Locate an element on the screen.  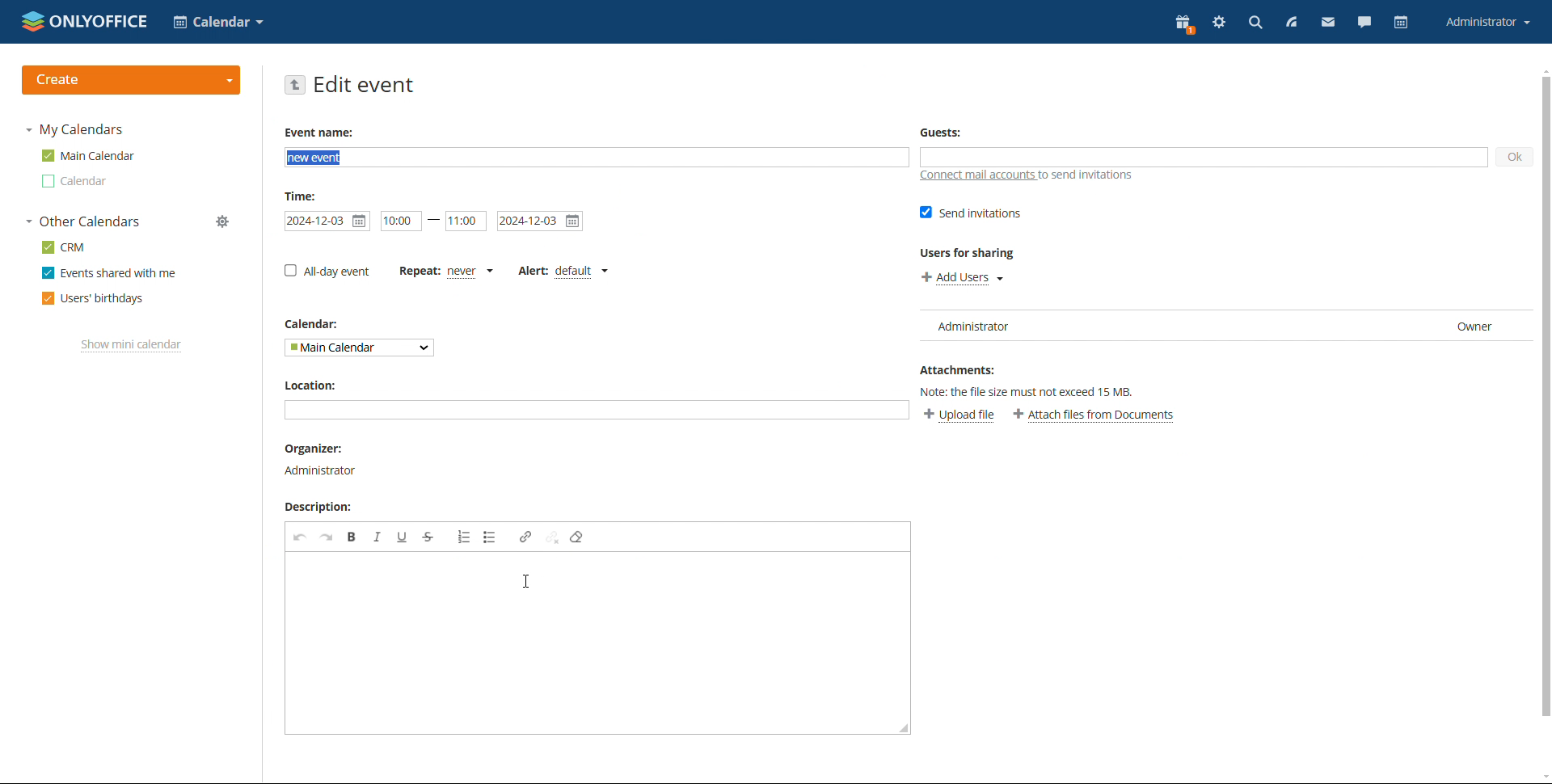
send invitations is located at coordinates (972, 213).